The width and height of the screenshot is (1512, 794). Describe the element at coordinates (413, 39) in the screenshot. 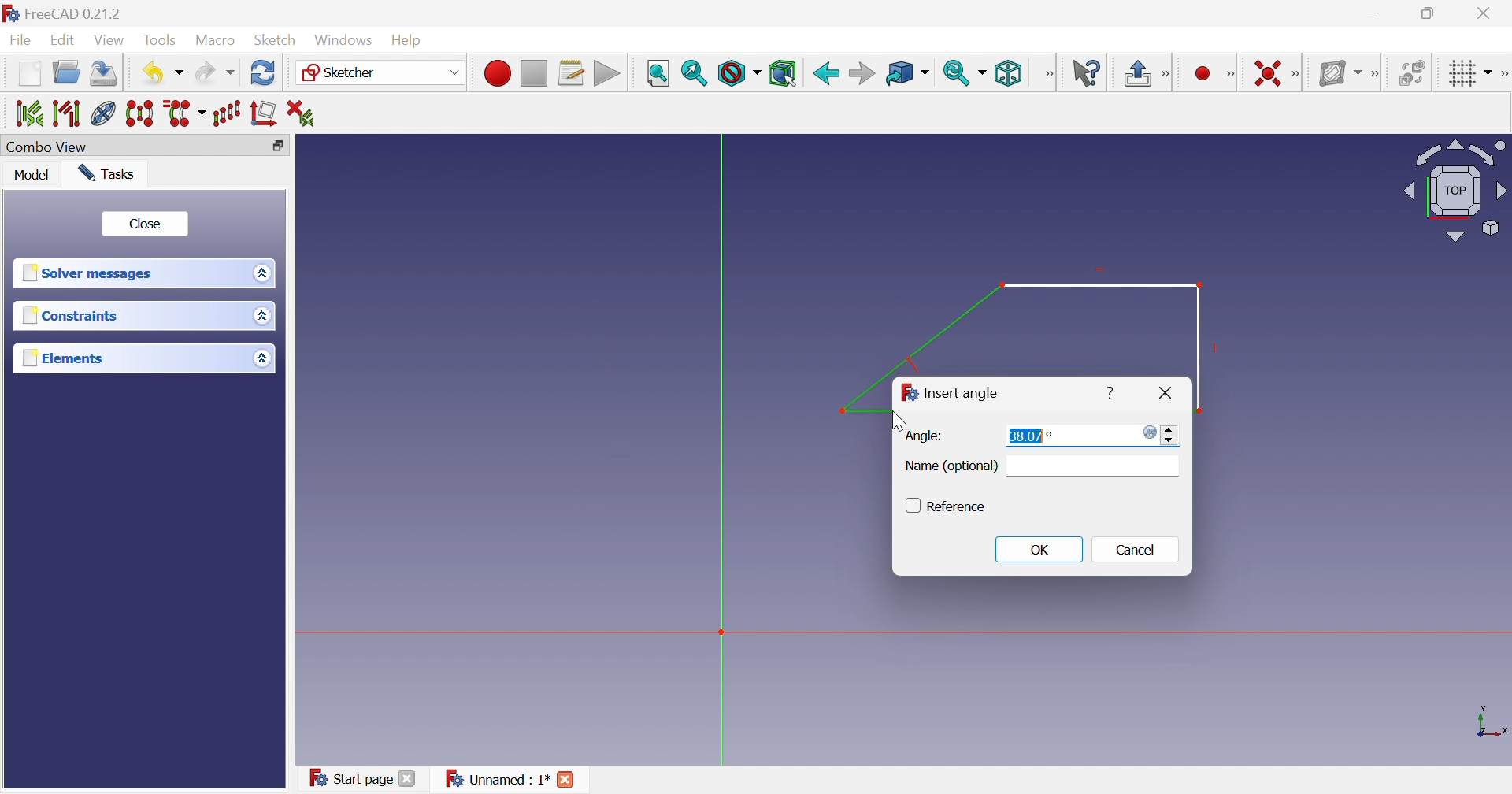

I see `Help` at that location.